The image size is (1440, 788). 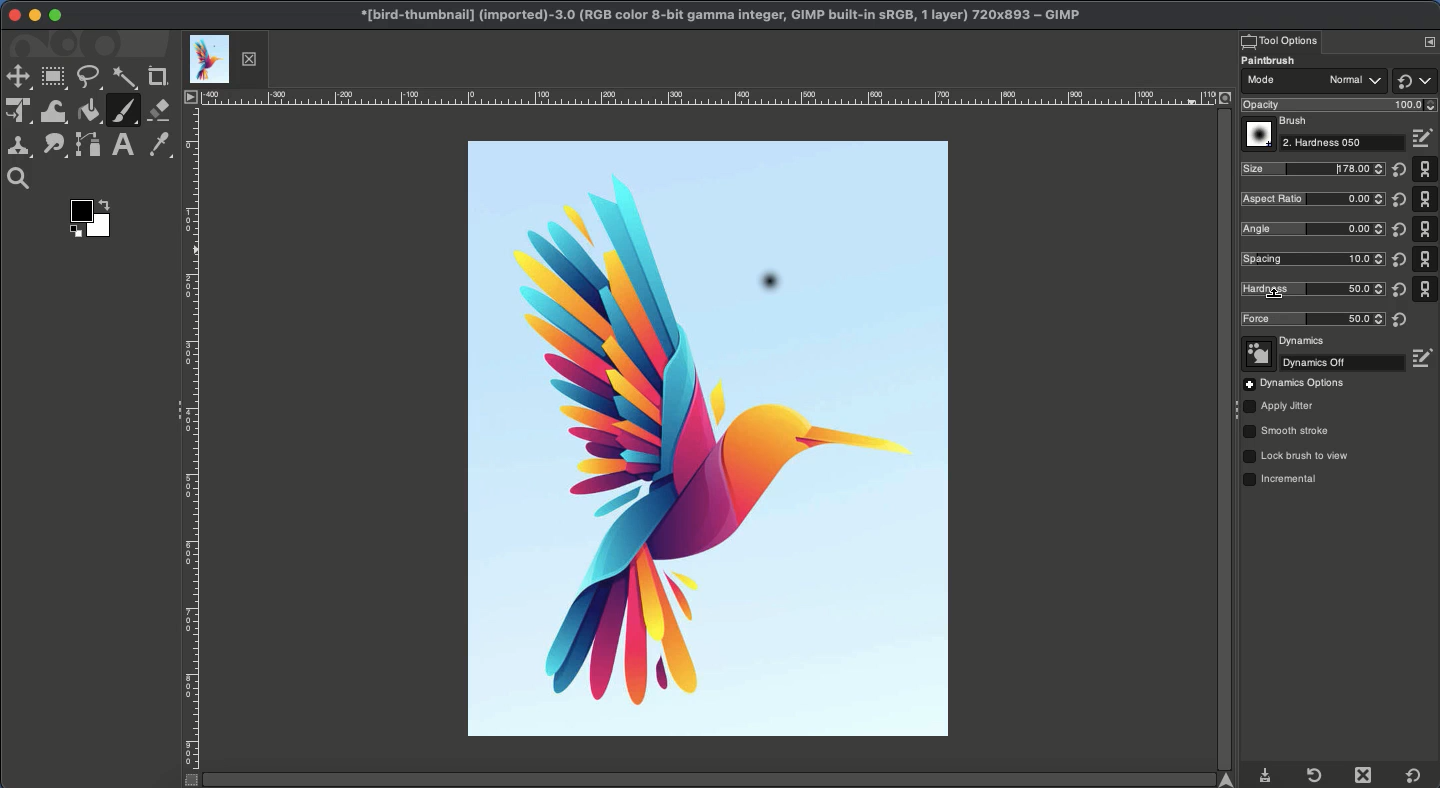 What do you see at coordinates (55, 15) in the screenshot?
I see `Maximize` at bounding box center [55, 15].